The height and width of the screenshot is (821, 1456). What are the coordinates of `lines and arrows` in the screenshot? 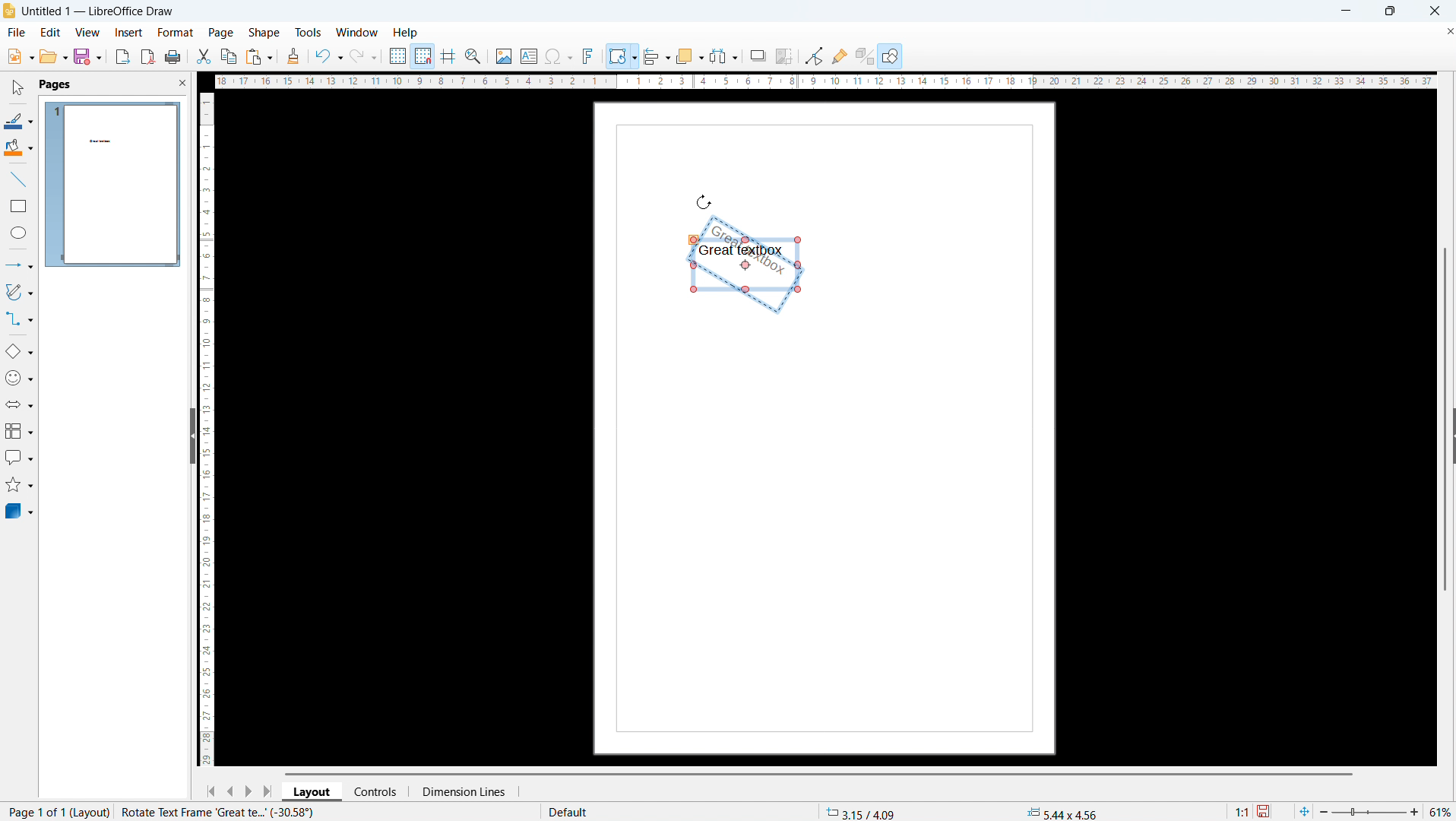 It's located at (19, 265).